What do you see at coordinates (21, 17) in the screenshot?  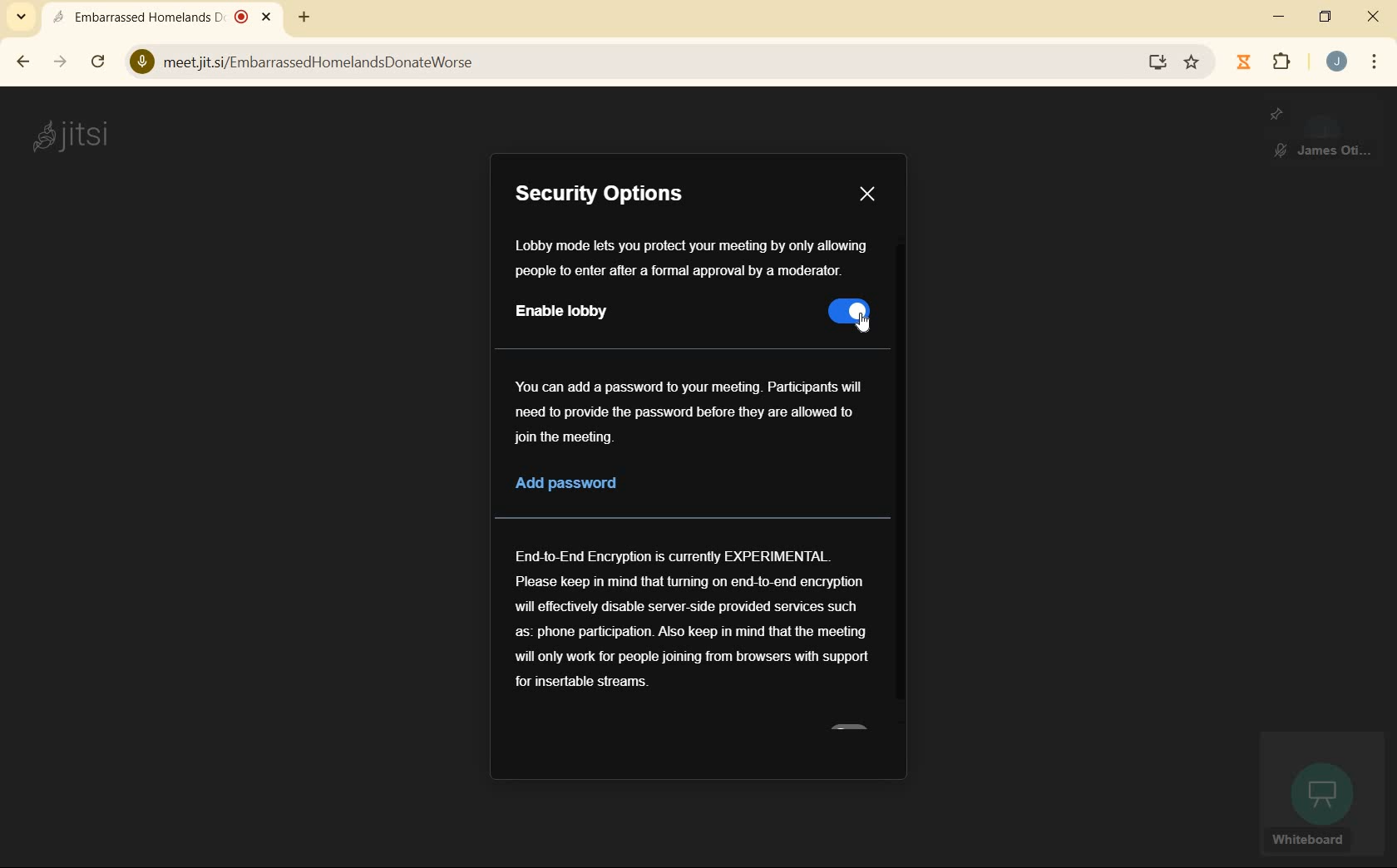 I see `search tabs` at bounding box center [21, 17].